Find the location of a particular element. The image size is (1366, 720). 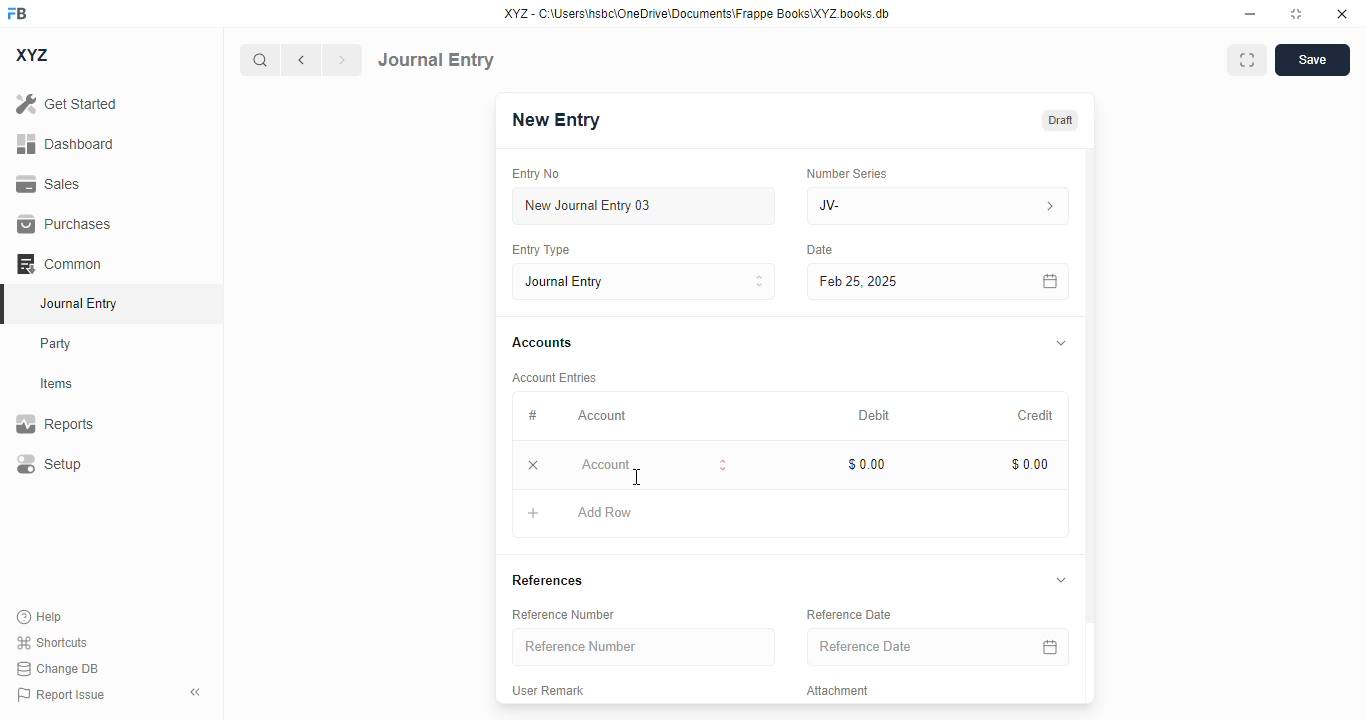

user remark is located at coordinates (547, 690).